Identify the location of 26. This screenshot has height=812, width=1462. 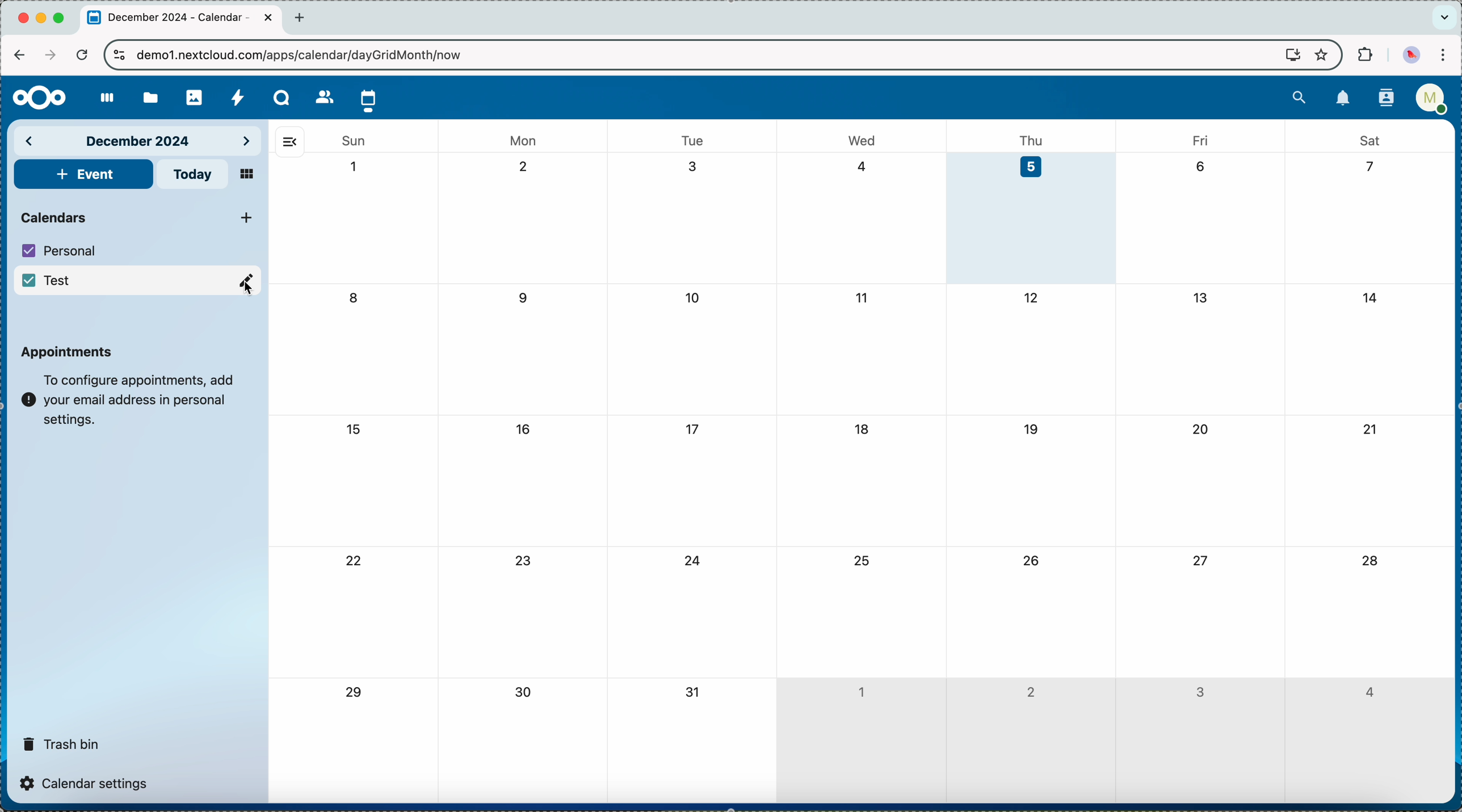
(1032, 559).